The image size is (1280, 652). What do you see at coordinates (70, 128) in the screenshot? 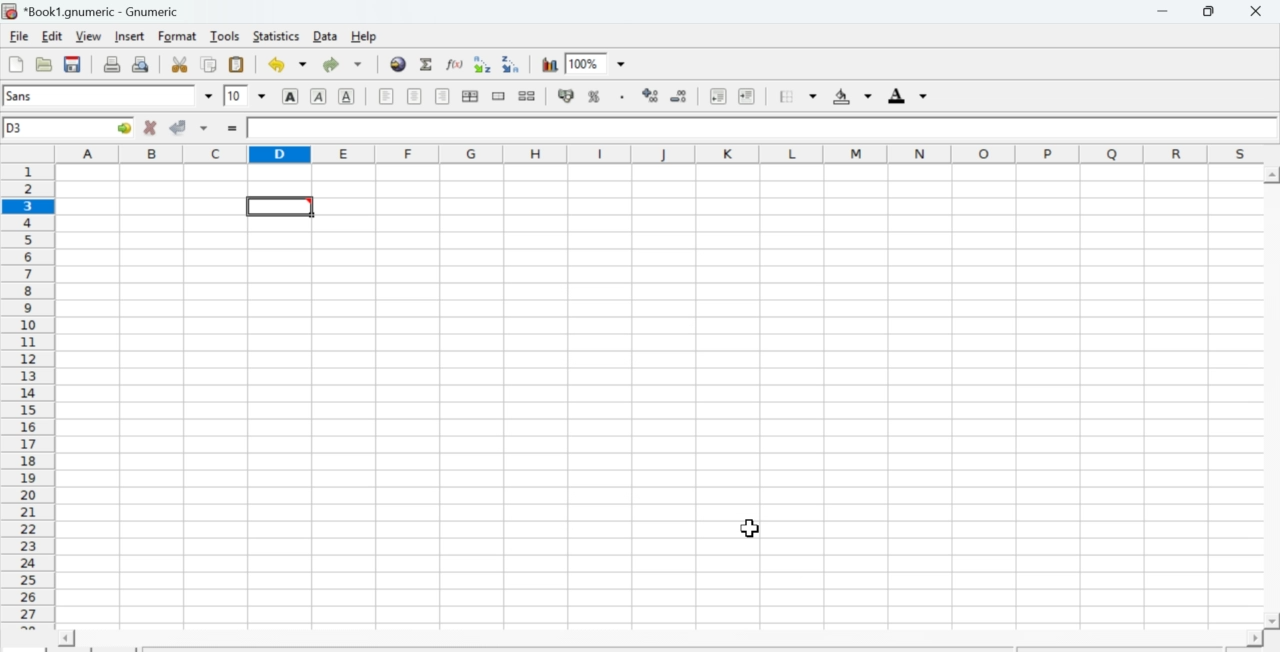
I see `Active cell` at bounding box center [70, 128].